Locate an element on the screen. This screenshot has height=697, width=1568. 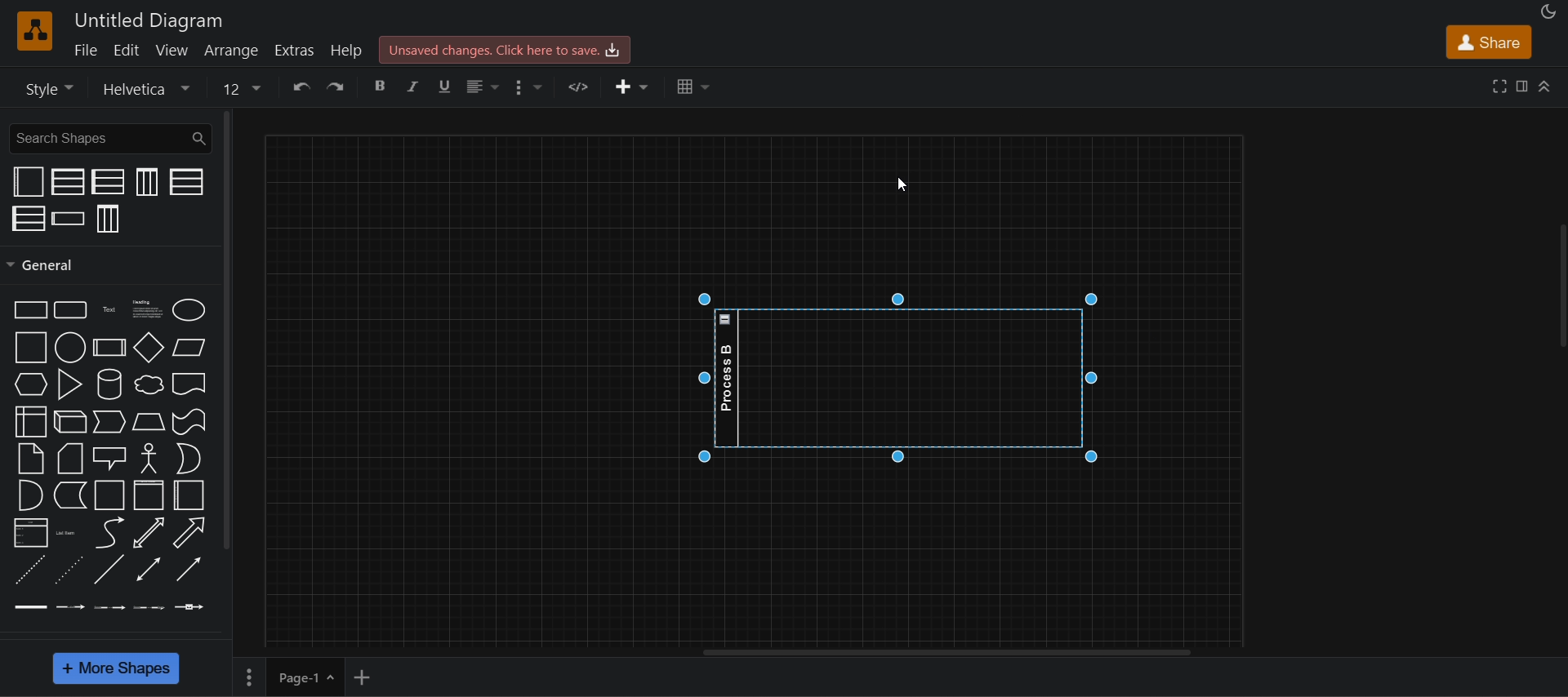
connector with 2 labels is located at coordinates (110, 609).